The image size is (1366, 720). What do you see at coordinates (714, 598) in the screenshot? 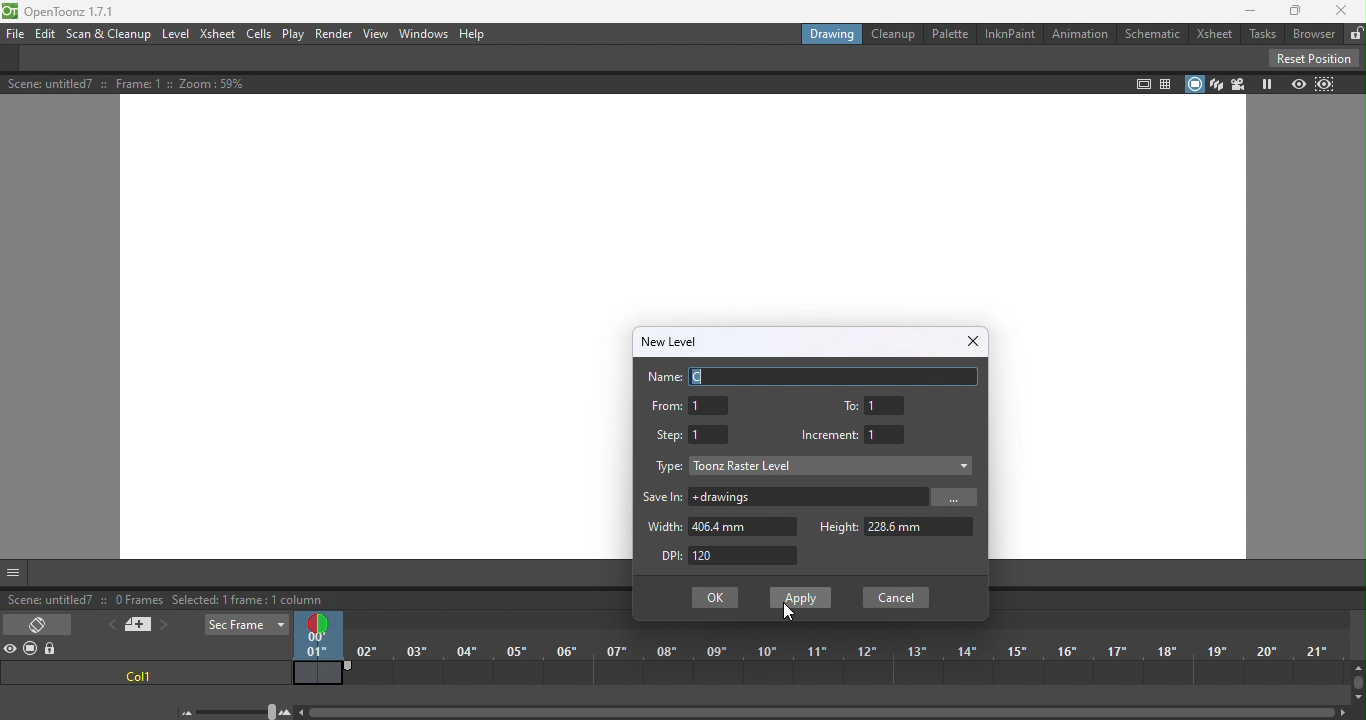
I see `OK` at bounding box center [714, 598].